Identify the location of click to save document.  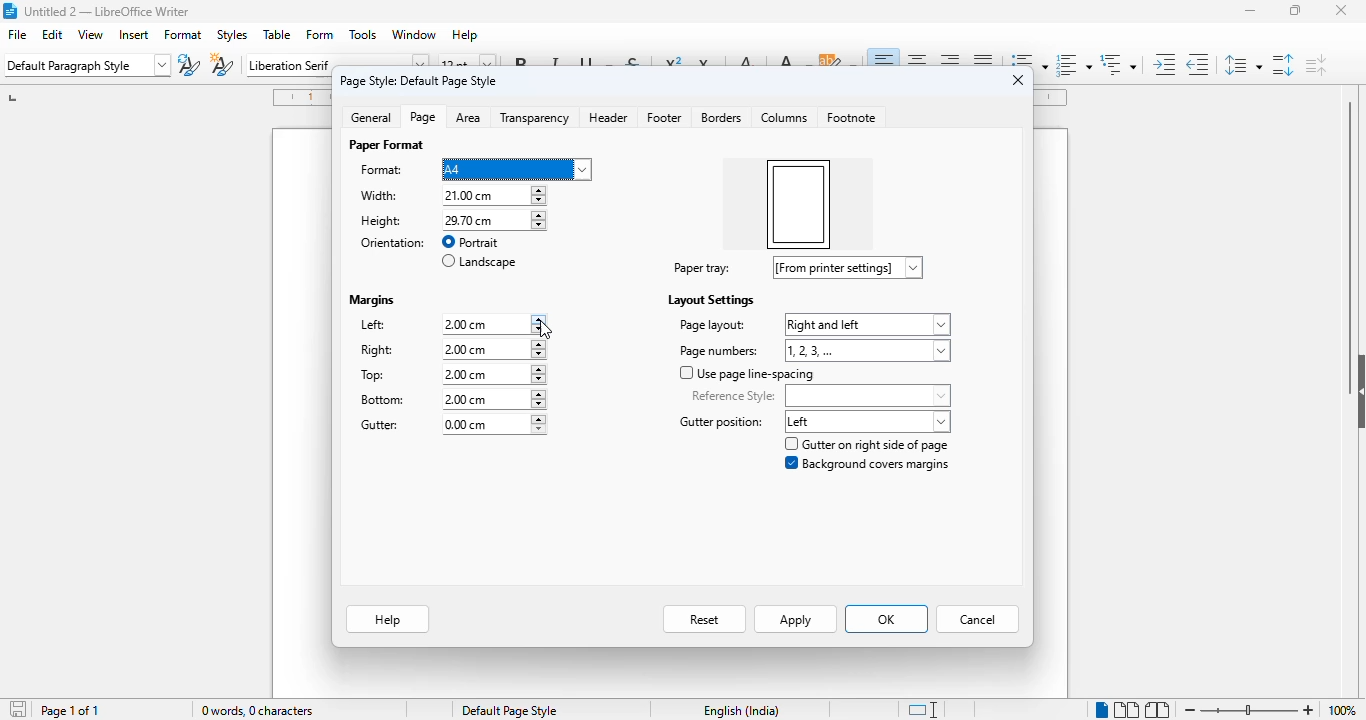
(17, 709).